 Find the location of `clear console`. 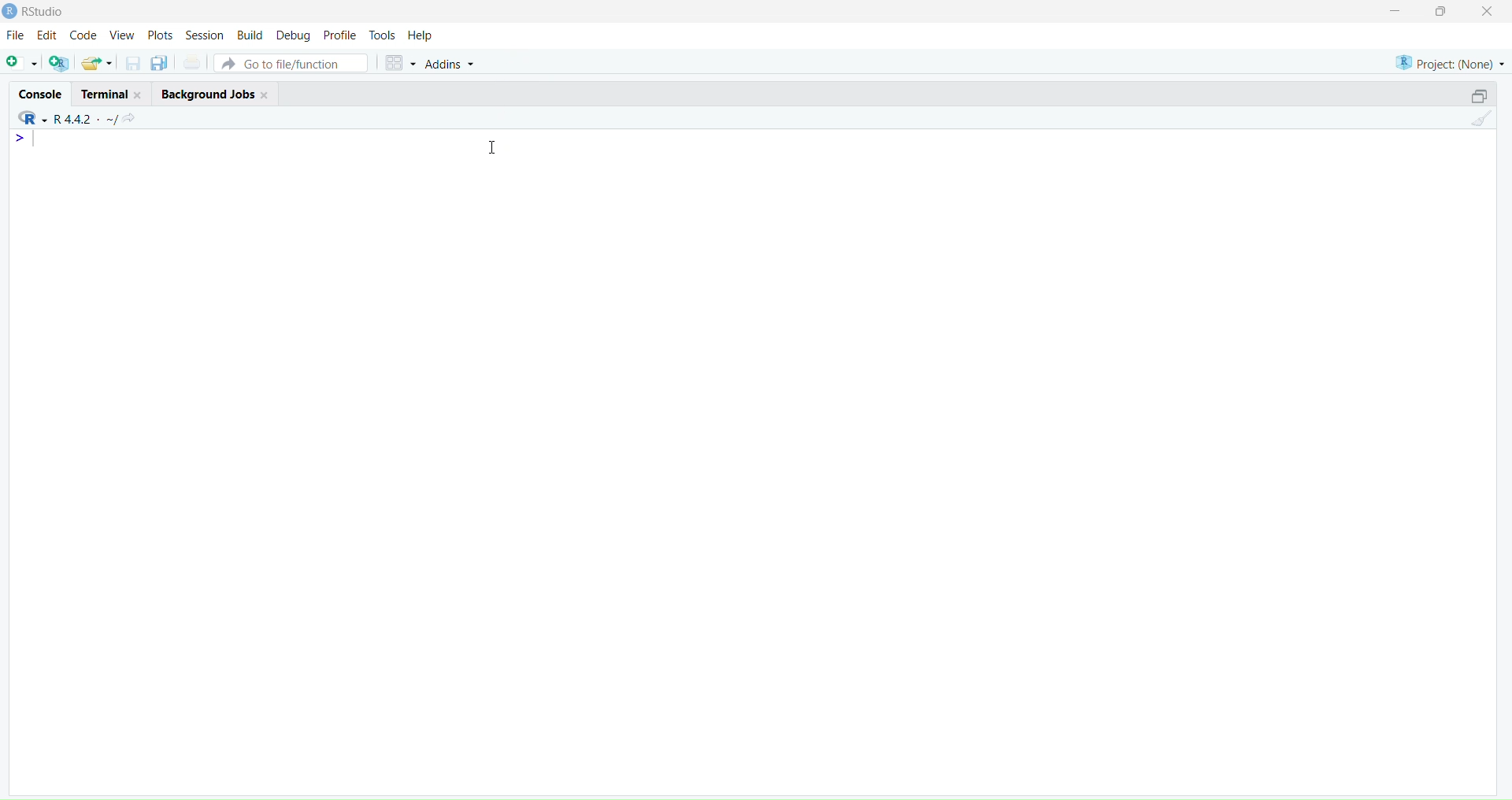

clear console is located at coordinates (1481, 120).